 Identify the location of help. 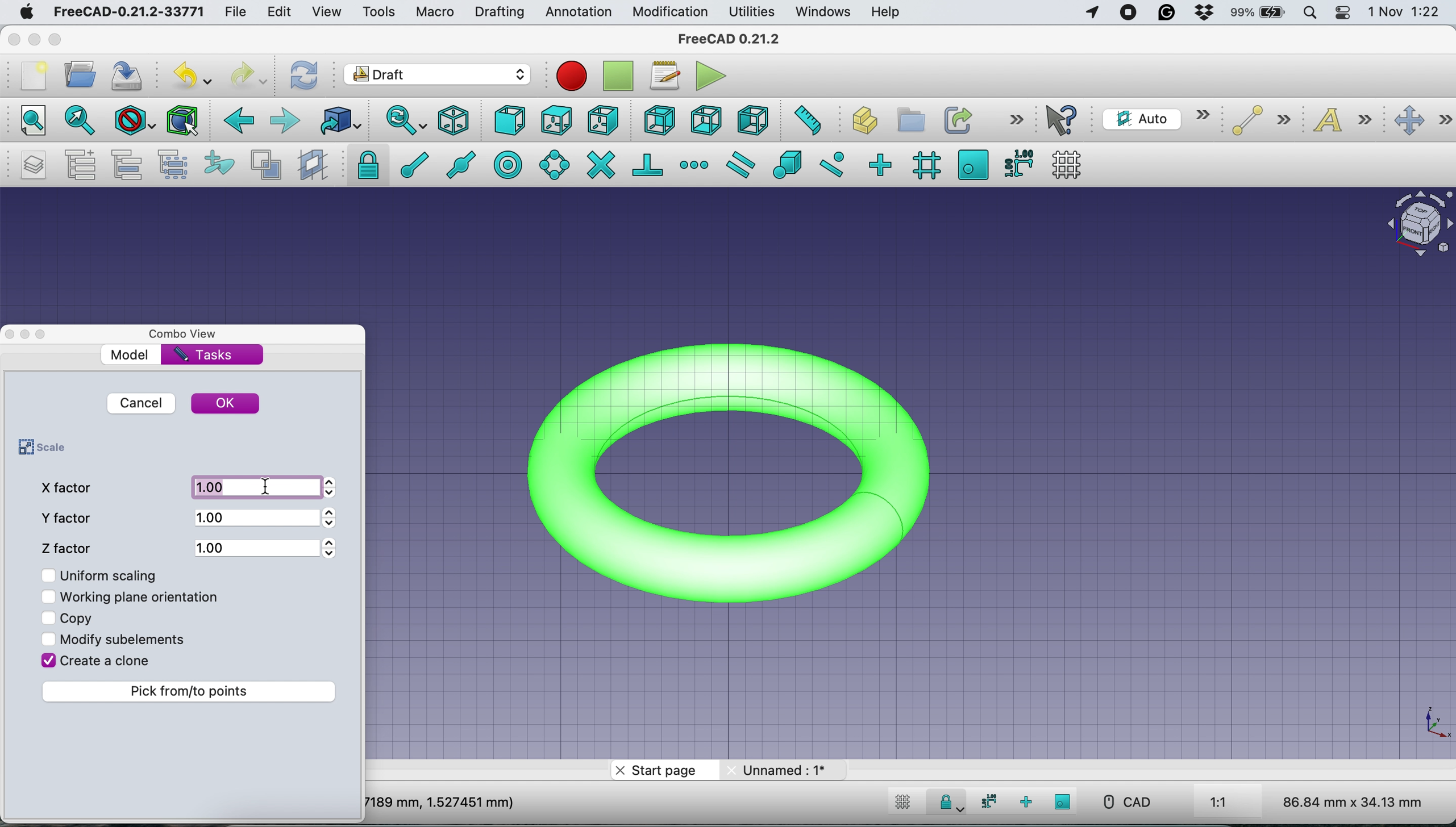
(883, 12).